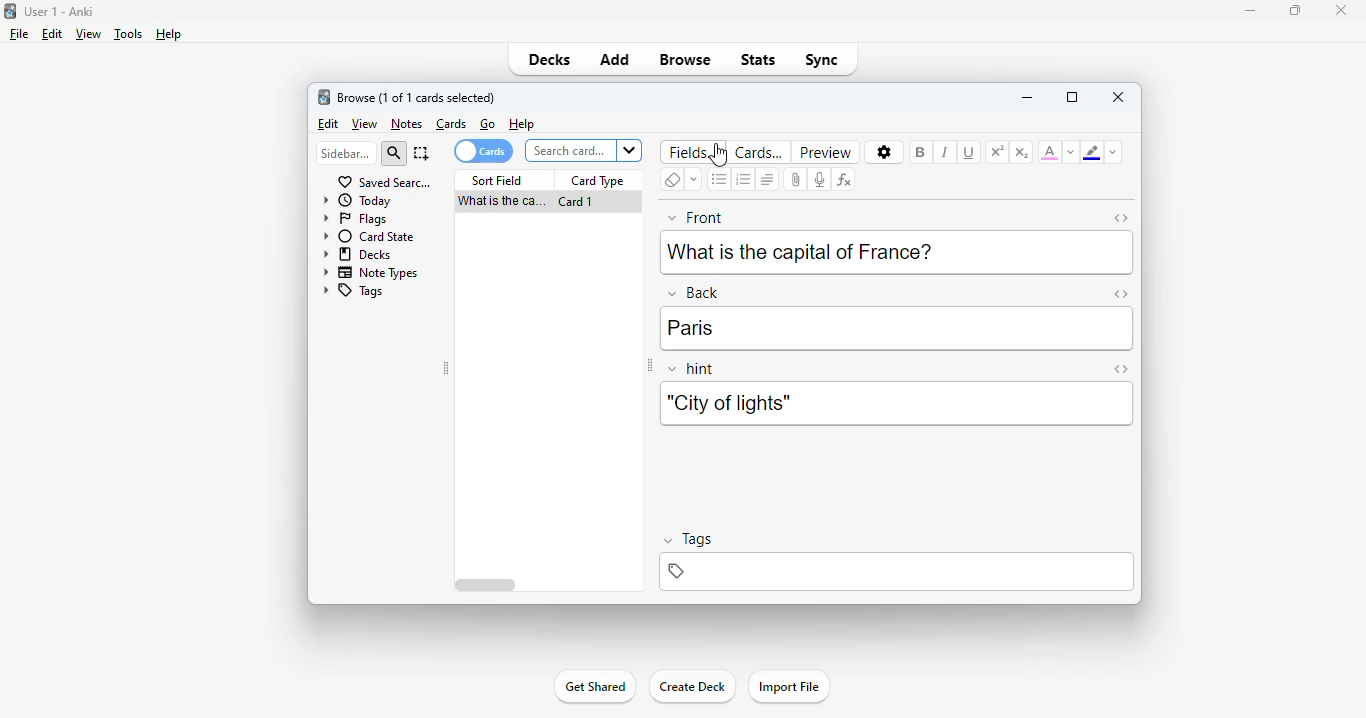 This screenshot has height=718, width=1366. Describe the element at coordinates (365, 125) in the screenshot. I see `view` at that location.